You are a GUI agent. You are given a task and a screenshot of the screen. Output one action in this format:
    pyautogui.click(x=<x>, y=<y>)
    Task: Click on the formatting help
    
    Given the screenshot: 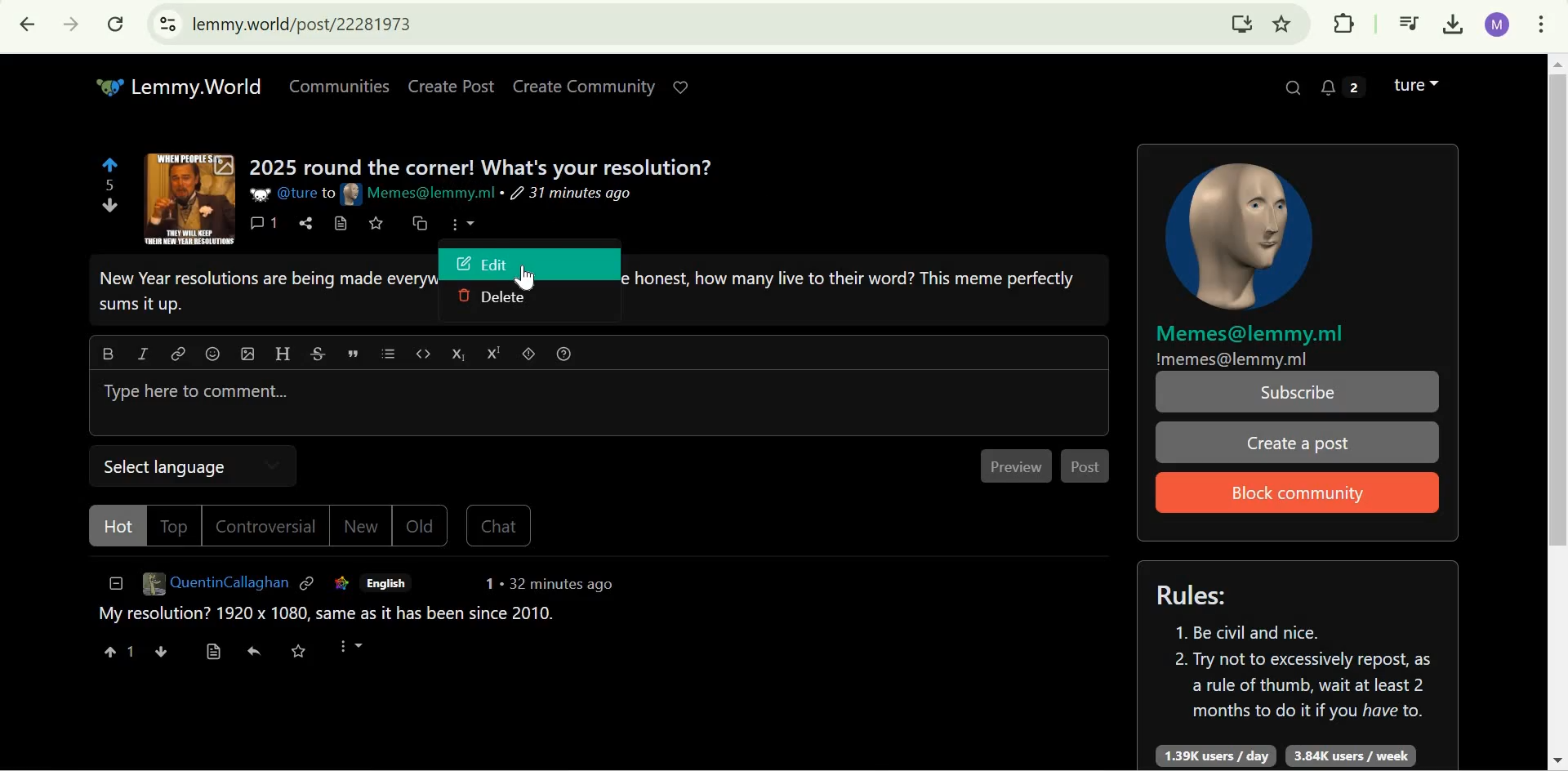 What is the action you would take?
    pyautogui.click(x=565, y=351)
    